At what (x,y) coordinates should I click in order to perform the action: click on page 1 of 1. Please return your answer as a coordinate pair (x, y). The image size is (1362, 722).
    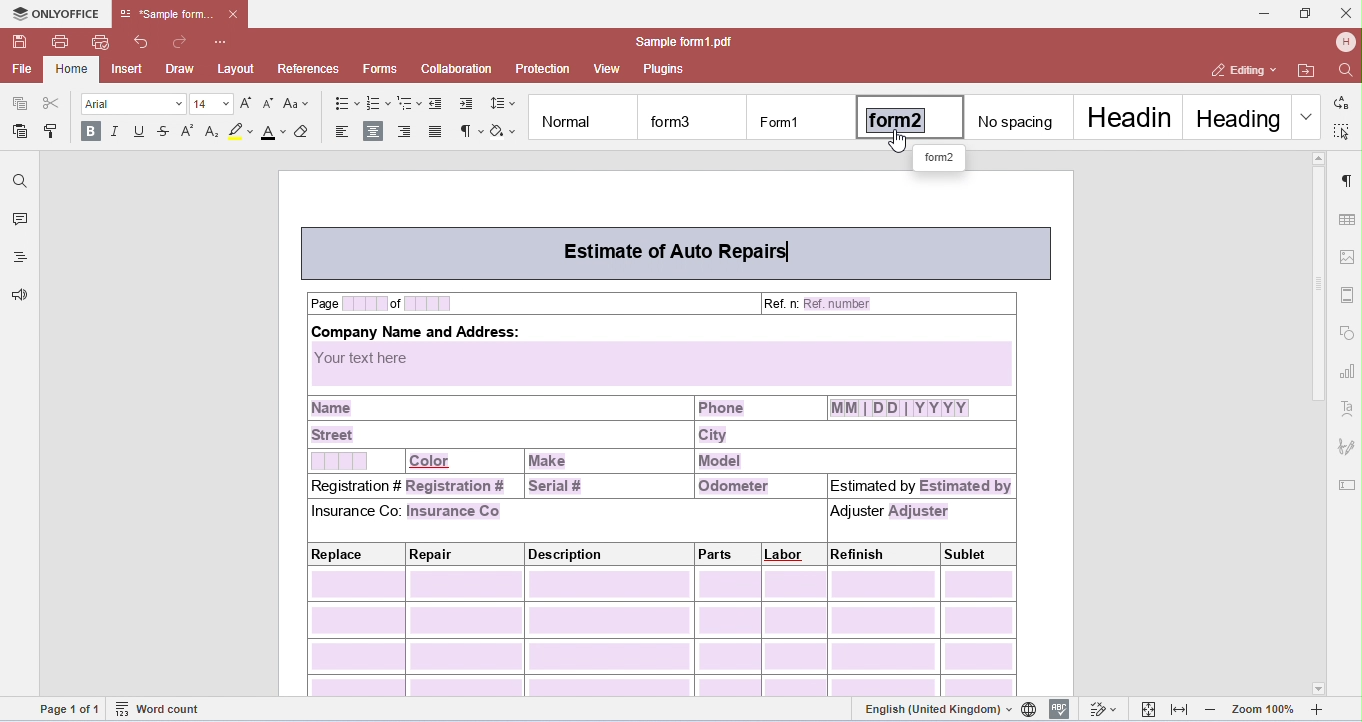
    Looking at the image, I should click on (70, 708).